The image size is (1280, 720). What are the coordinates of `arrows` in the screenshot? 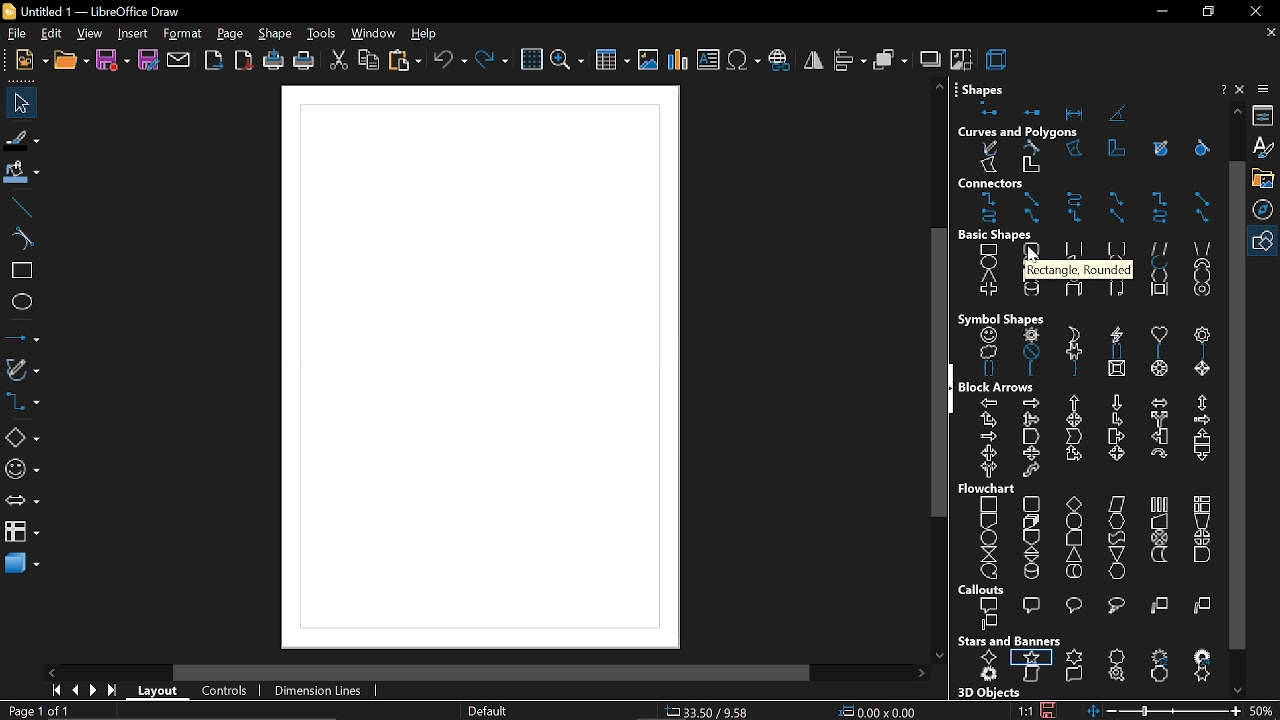 It's located at (21, 503).